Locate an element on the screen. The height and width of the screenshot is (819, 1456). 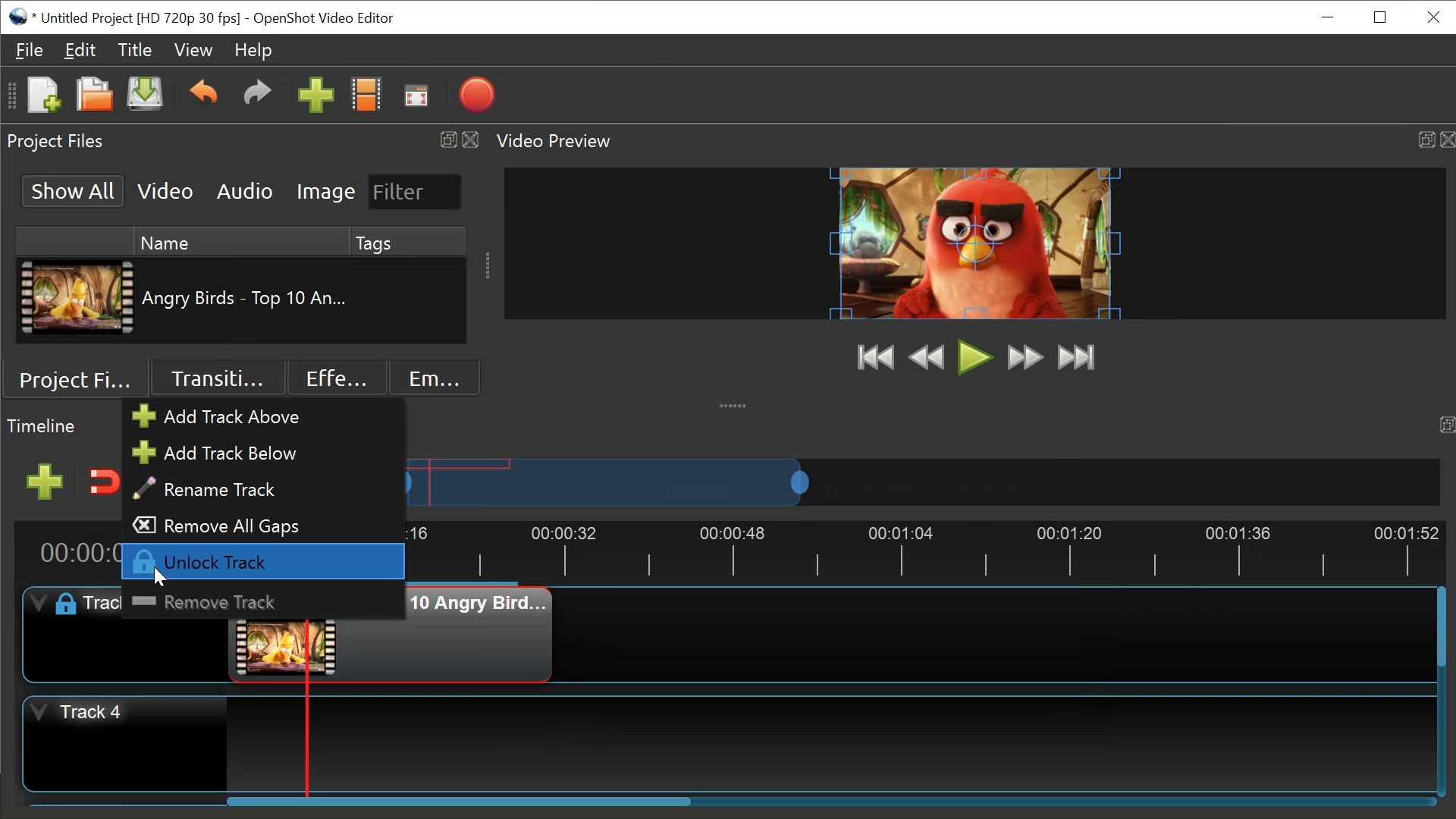
Window Preview is located at coordinates (976, 244).